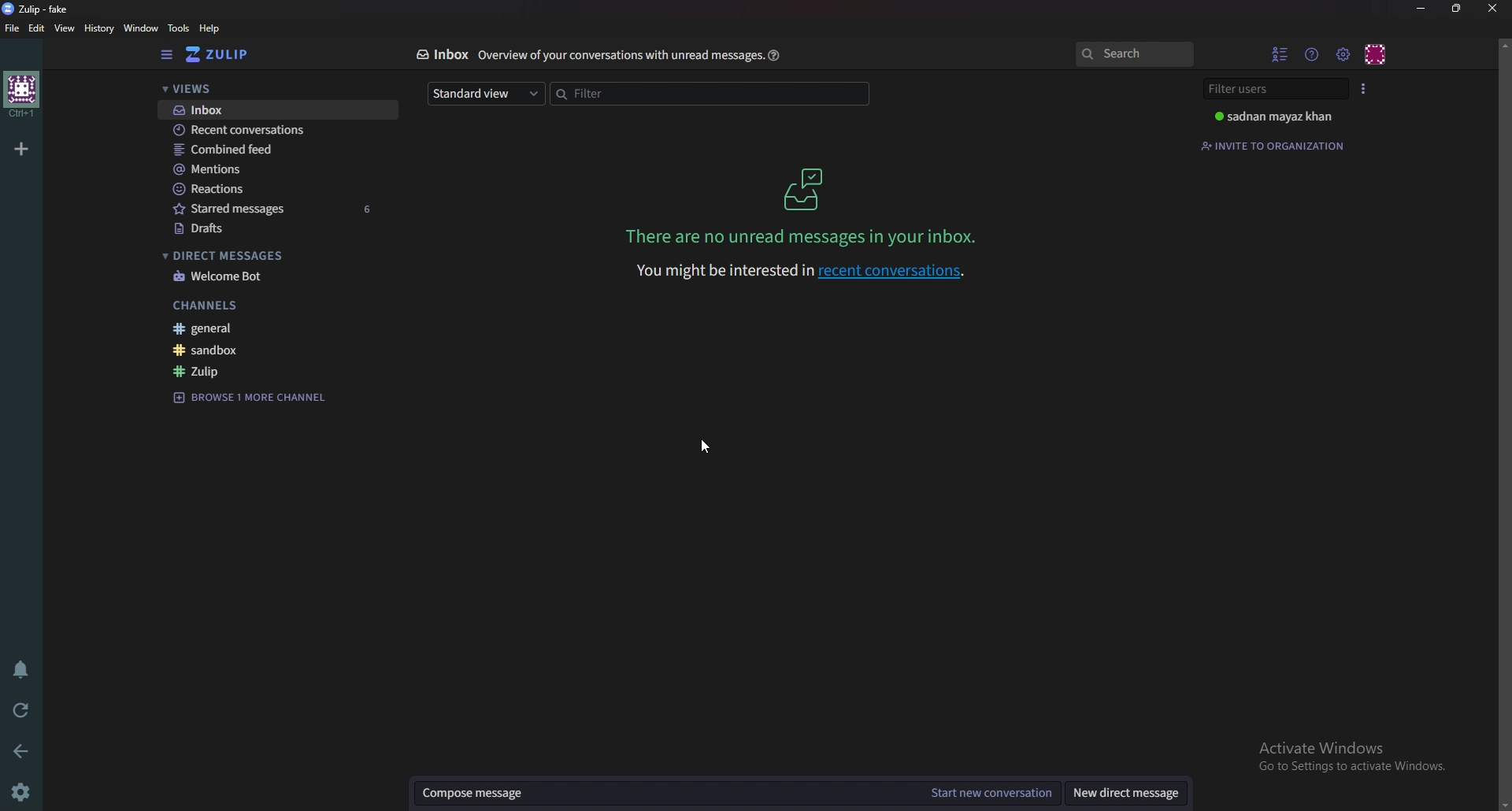  I want to click on close, so click(1492, 10).